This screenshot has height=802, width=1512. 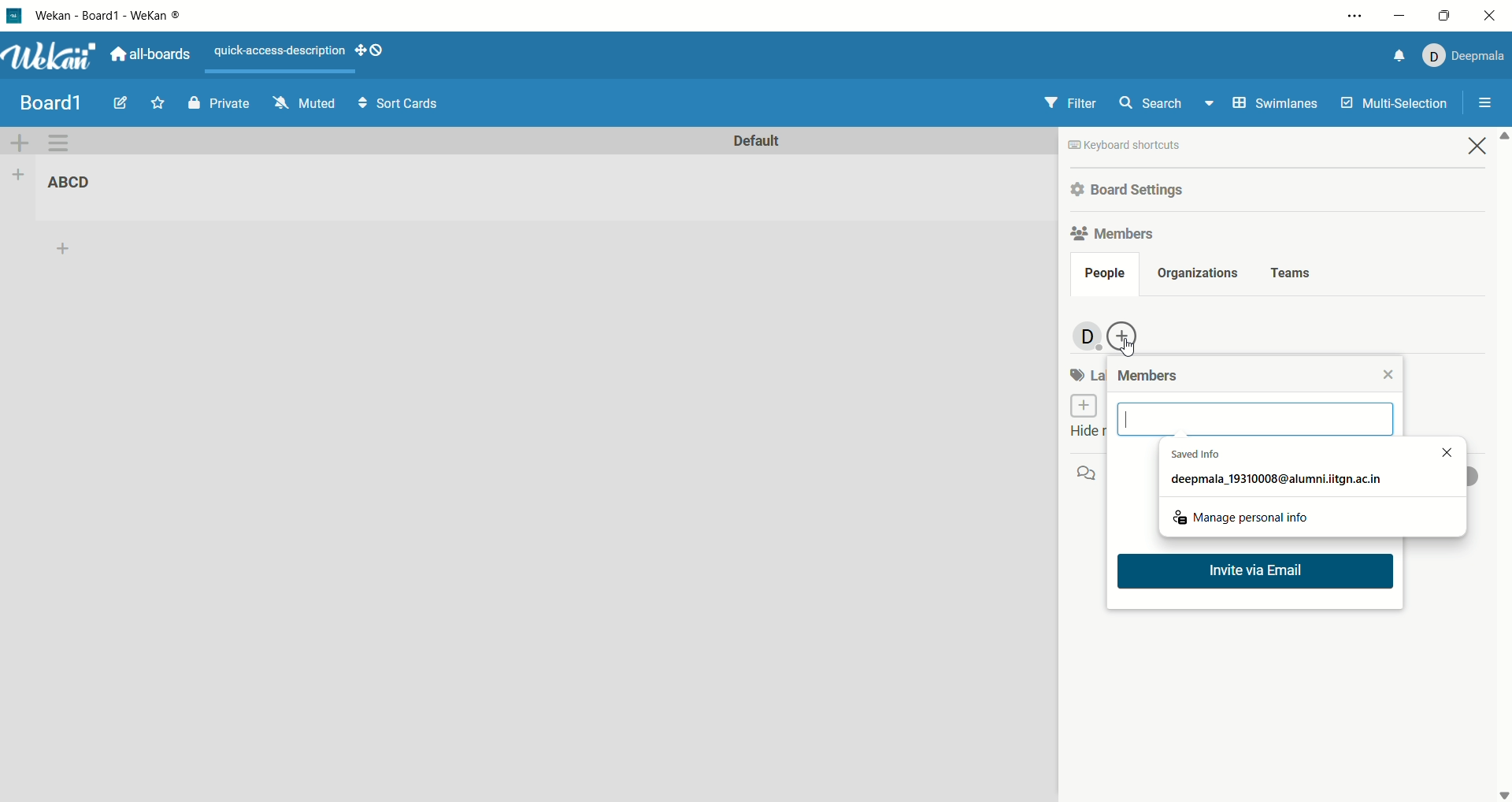 What do you see at coordinates (50, 102) in the screenshot?
I see `title` at bounding box center [50, 102].